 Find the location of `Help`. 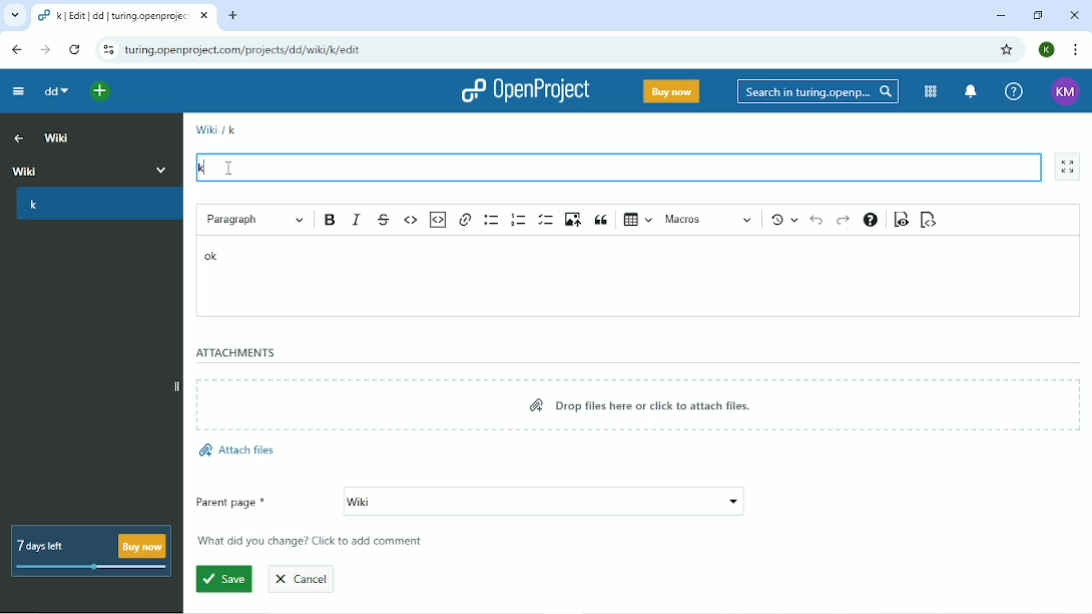

Help is located at coordinates (1013, 91).